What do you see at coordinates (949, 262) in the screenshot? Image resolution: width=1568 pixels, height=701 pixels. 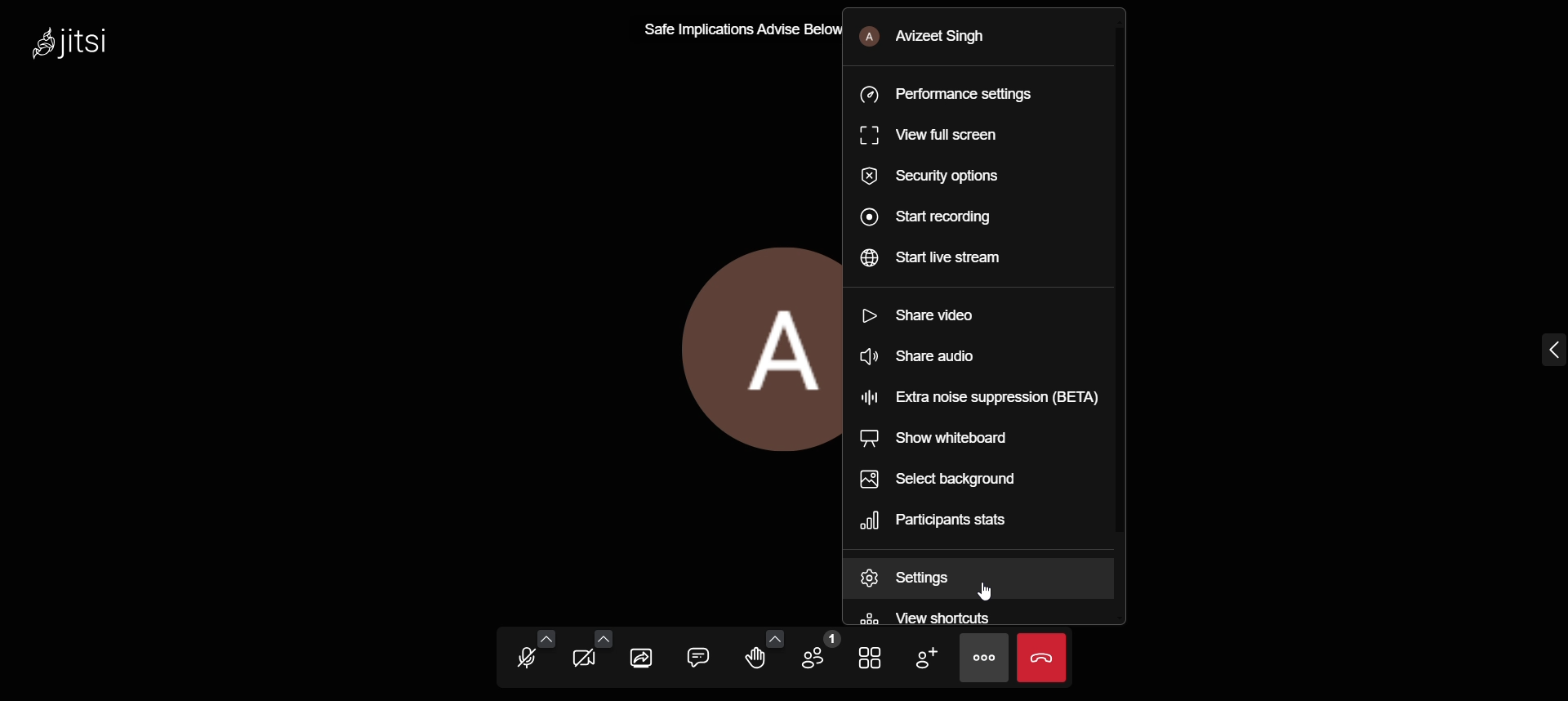 I see `start live stream` at bounding box center [949, 262].